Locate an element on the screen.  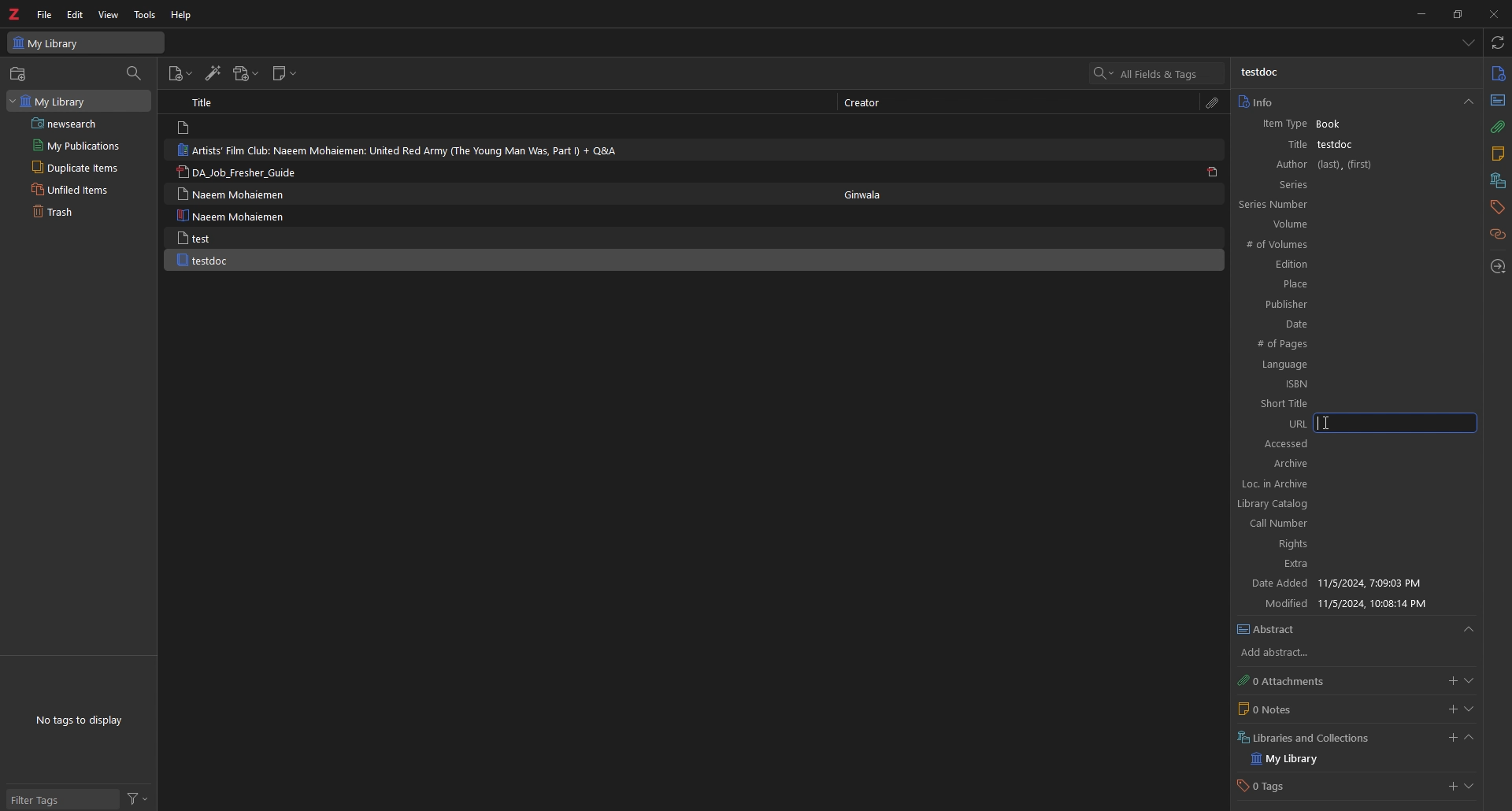
my library is located at coordinates (79, 101).